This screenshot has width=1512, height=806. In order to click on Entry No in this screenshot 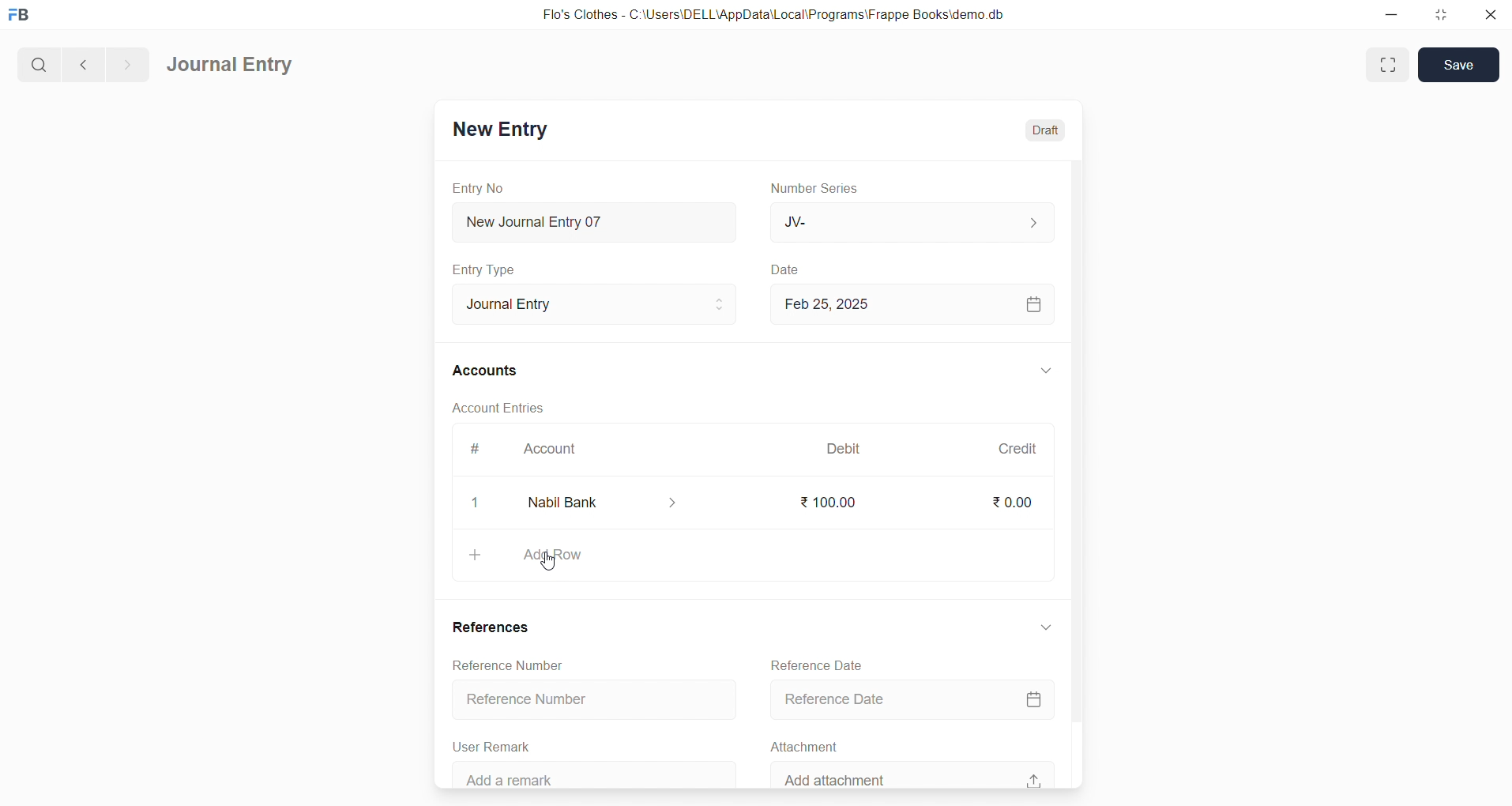, I will do `click(479, 187)`.